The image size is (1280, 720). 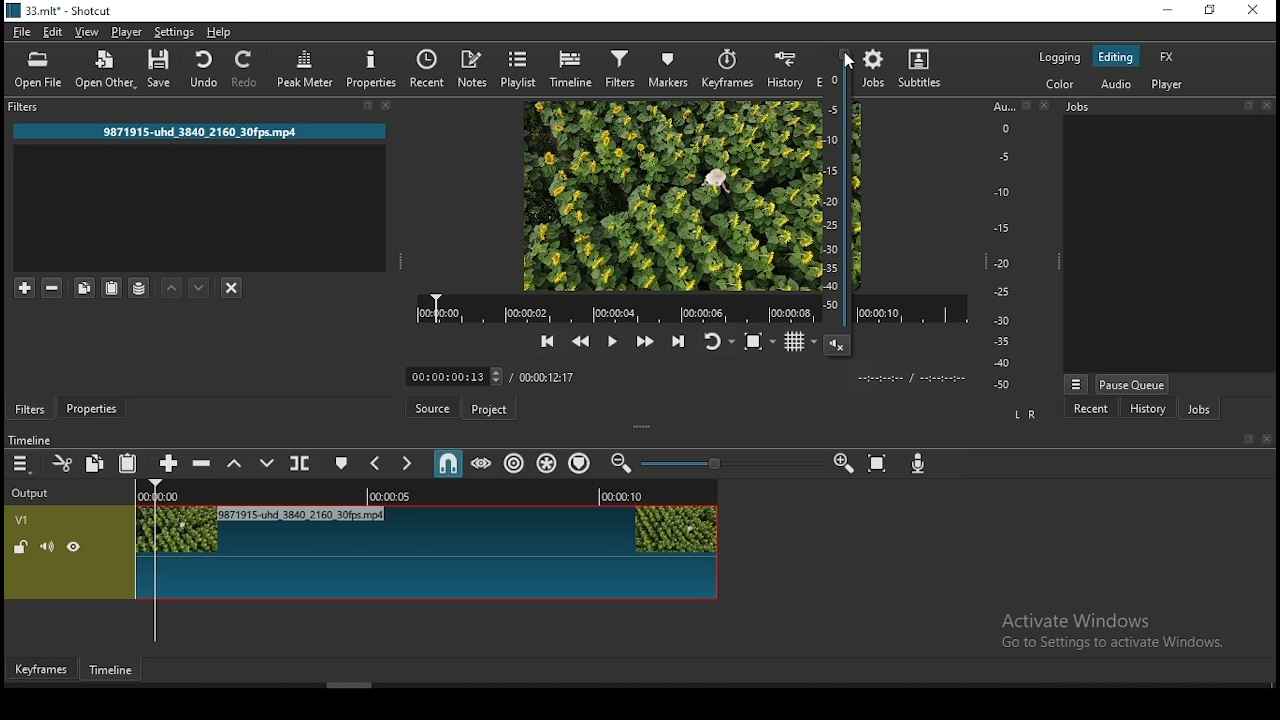 I want to click on bookmark, so click(x=1027, y=106).